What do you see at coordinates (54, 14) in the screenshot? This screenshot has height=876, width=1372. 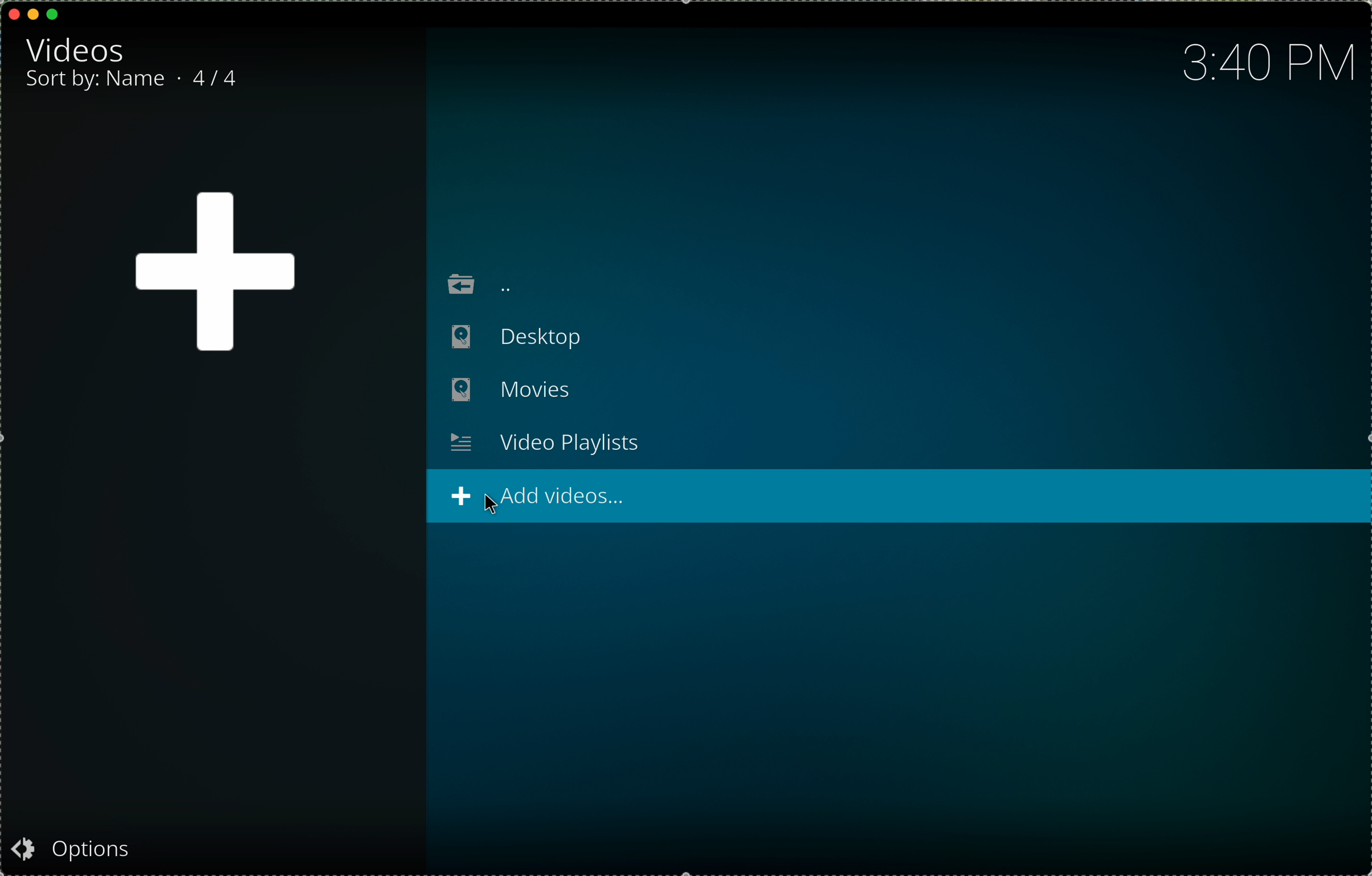 I see `maximise` at bounding box center [54, 14].